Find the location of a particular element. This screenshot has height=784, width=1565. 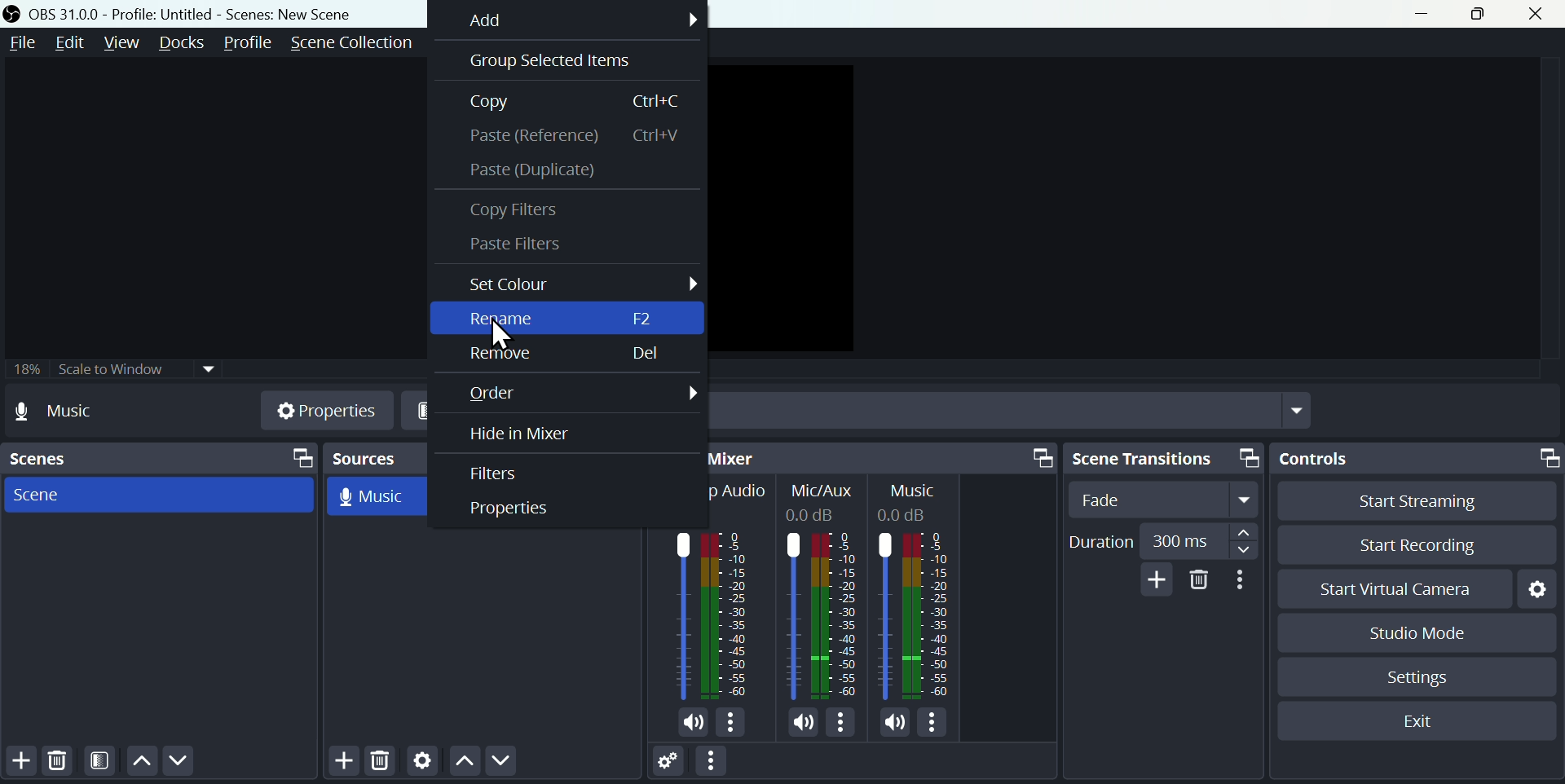

Sound is located at coordinates (804, 723).